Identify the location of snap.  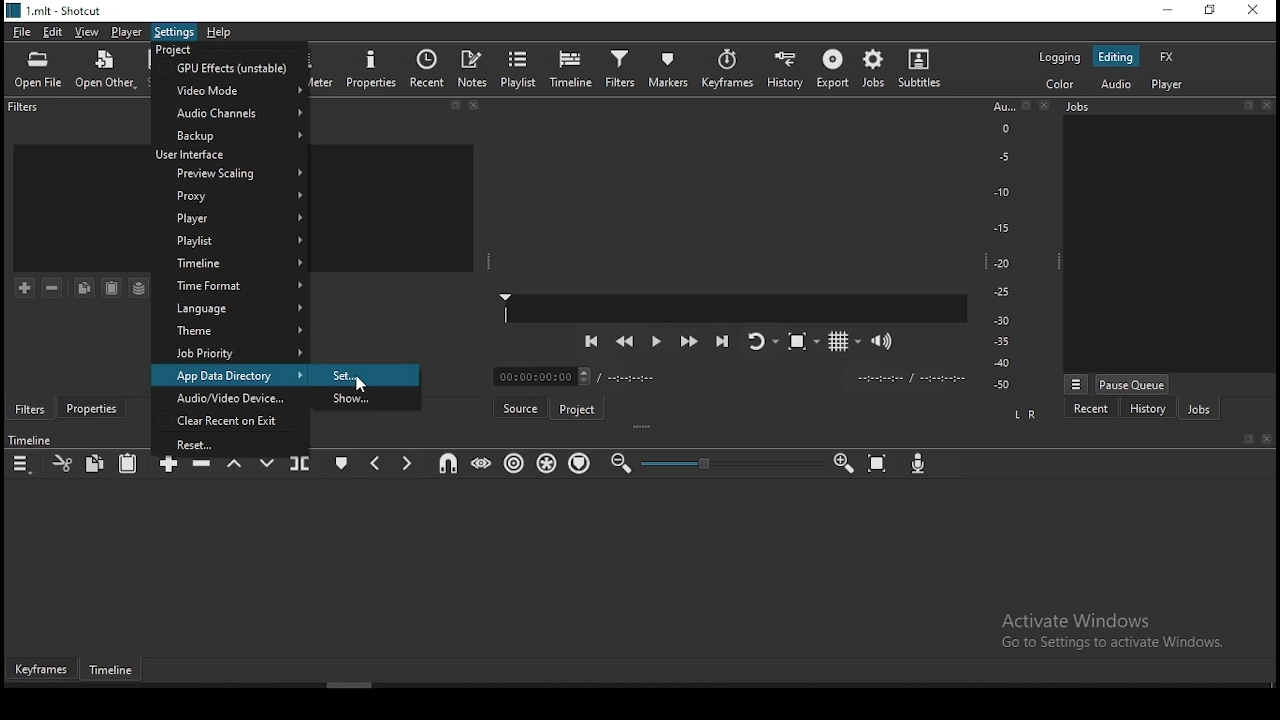
(450, 464).